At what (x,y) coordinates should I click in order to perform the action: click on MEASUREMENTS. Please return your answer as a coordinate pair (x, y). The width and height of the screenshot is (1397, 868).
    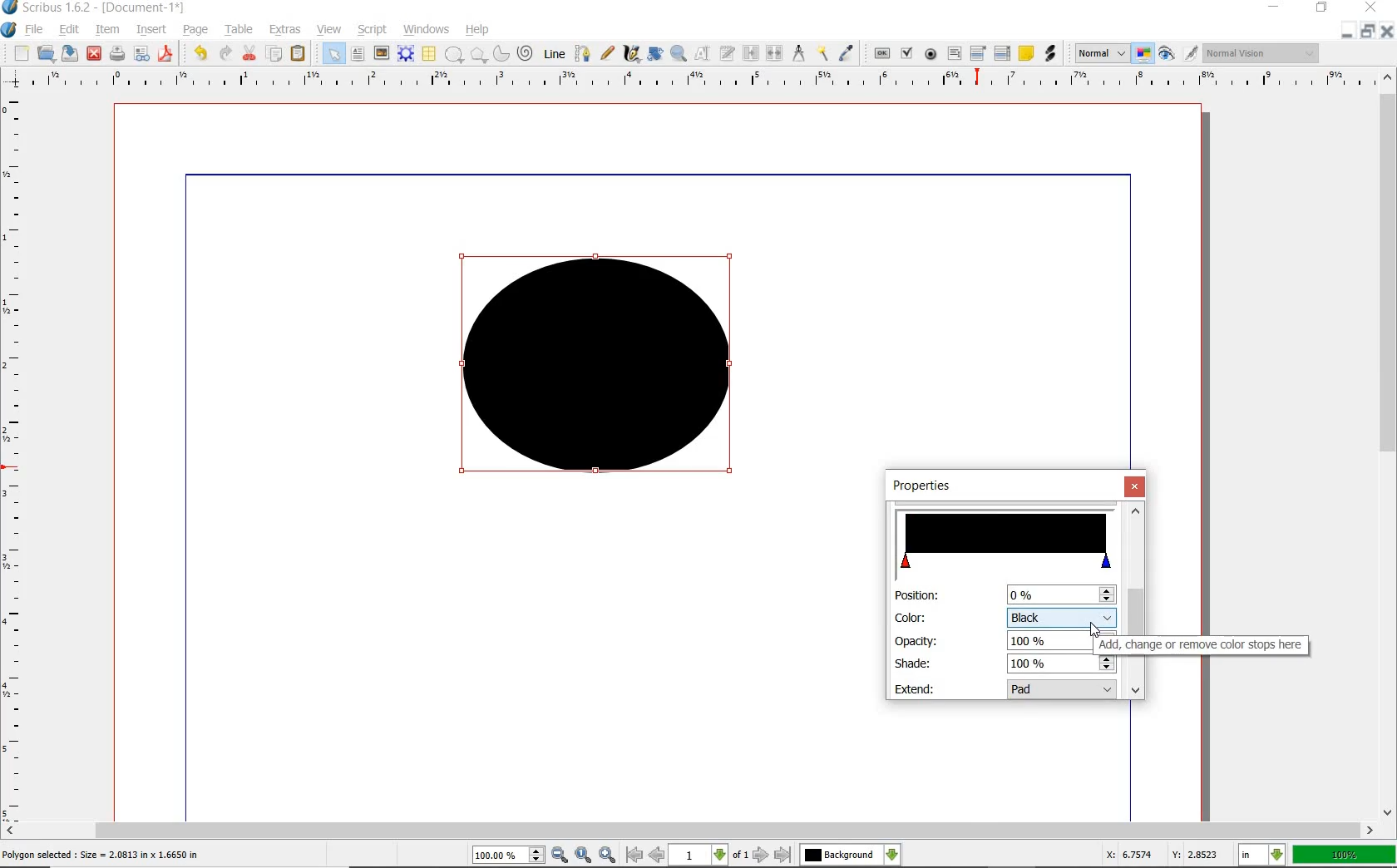
    Looking at the image, I should click on (798, 54).